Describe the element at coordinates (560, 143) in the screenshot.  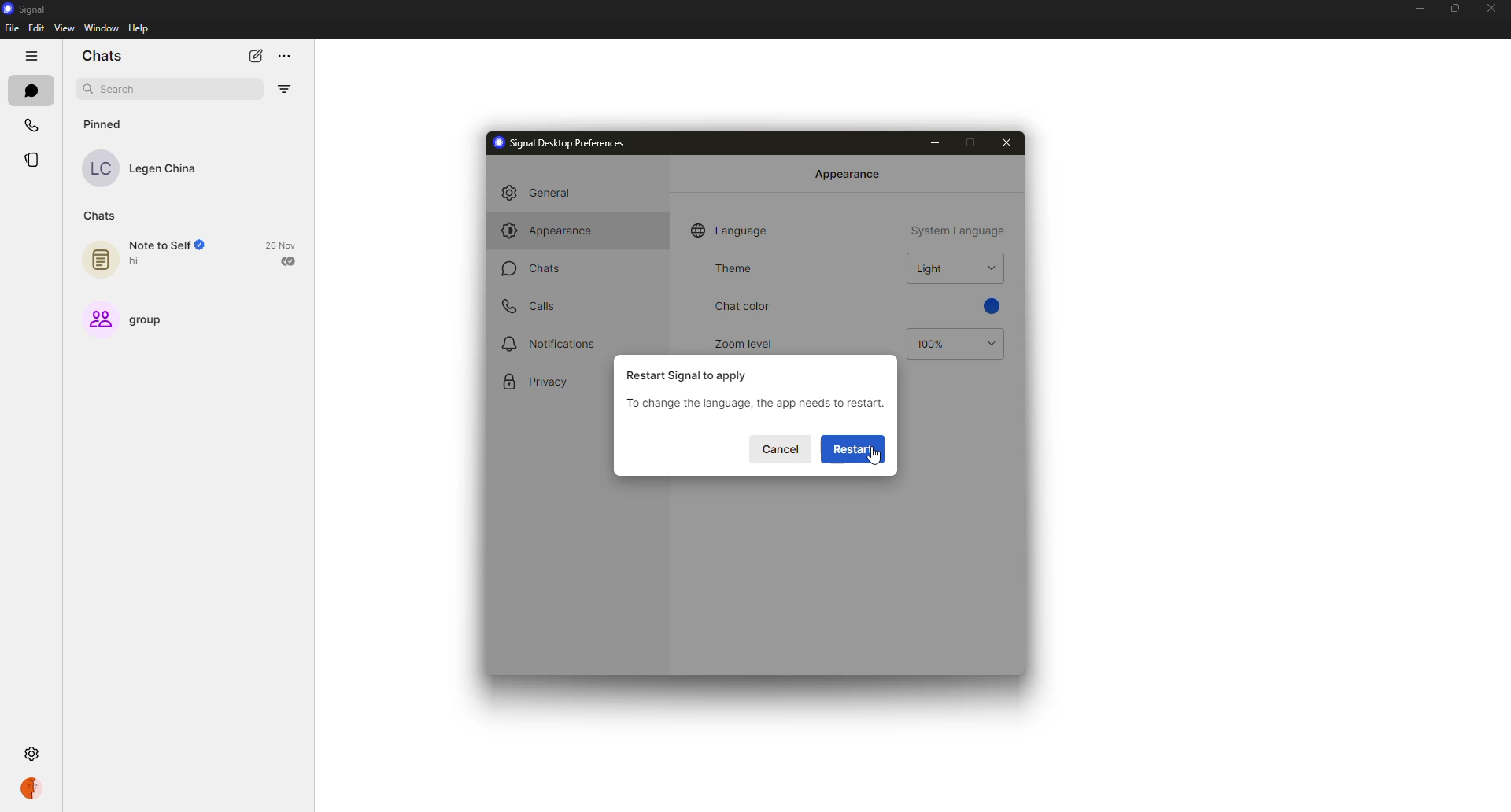
I see `signal desktop preferences` at that location.